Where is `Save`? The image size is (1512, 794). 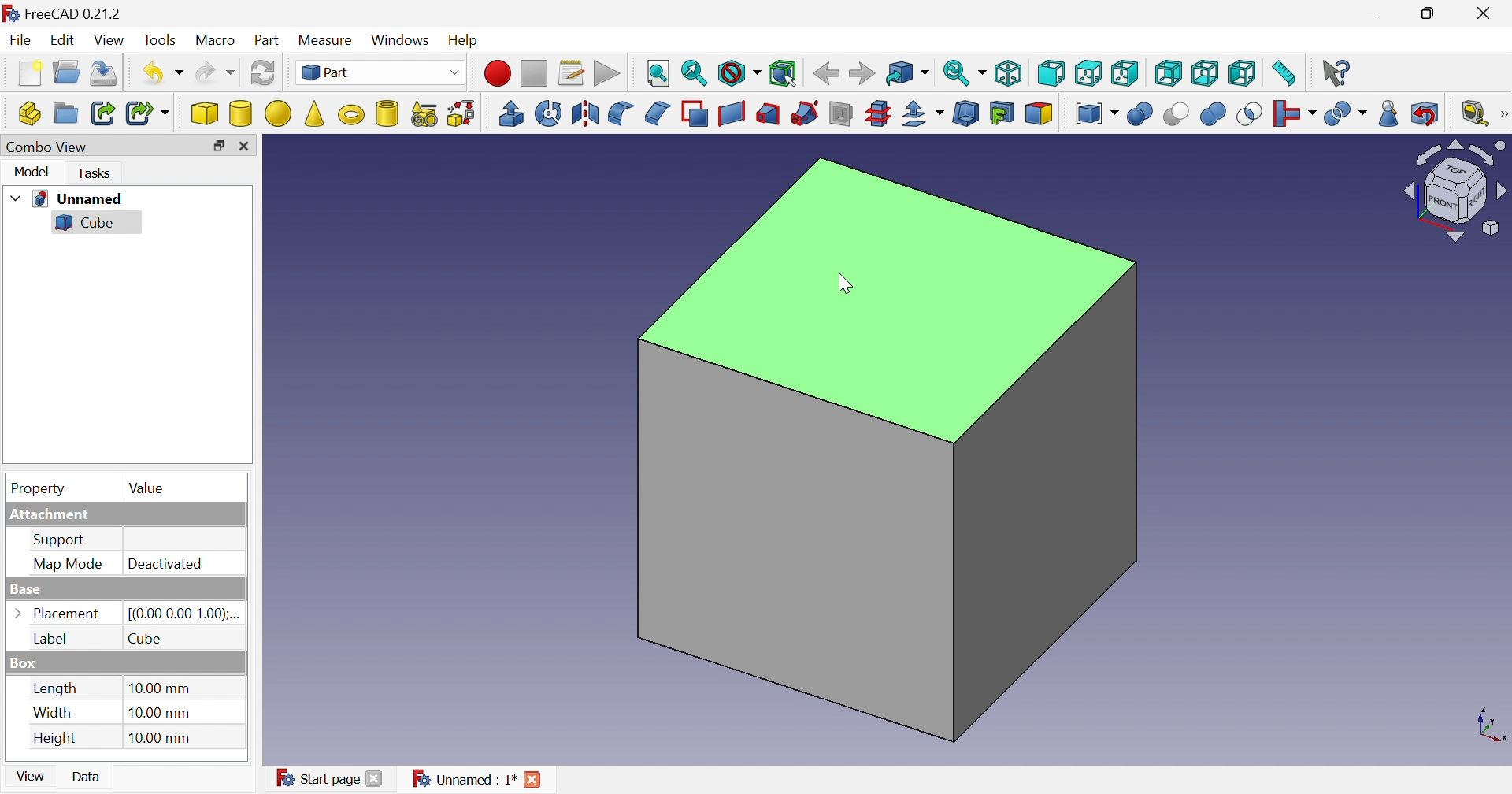
Save is located at coordinates (108, 73).